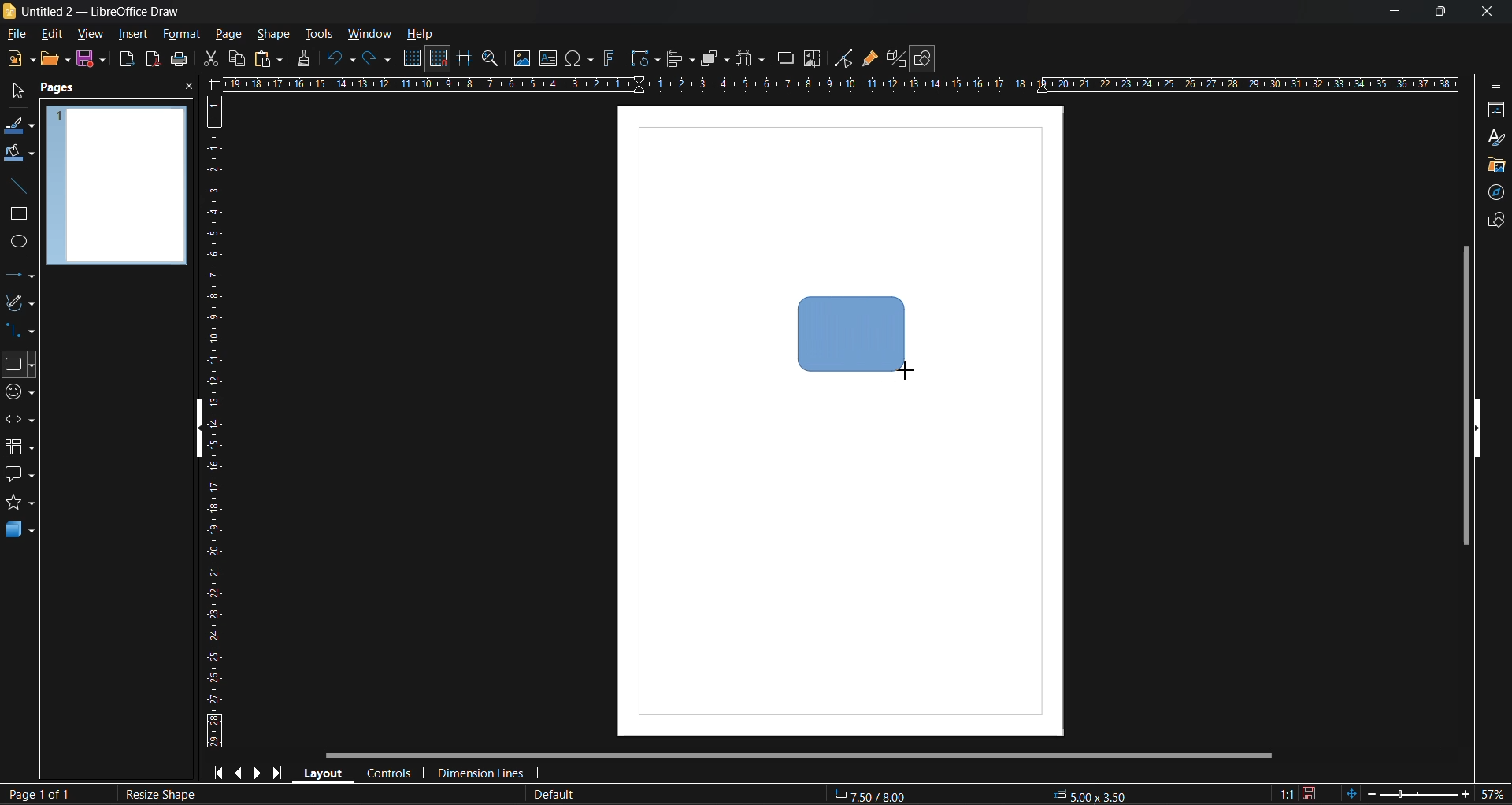  Describe the element at coordinates (20, 128) in the screenshot. I see `line color` at that location.